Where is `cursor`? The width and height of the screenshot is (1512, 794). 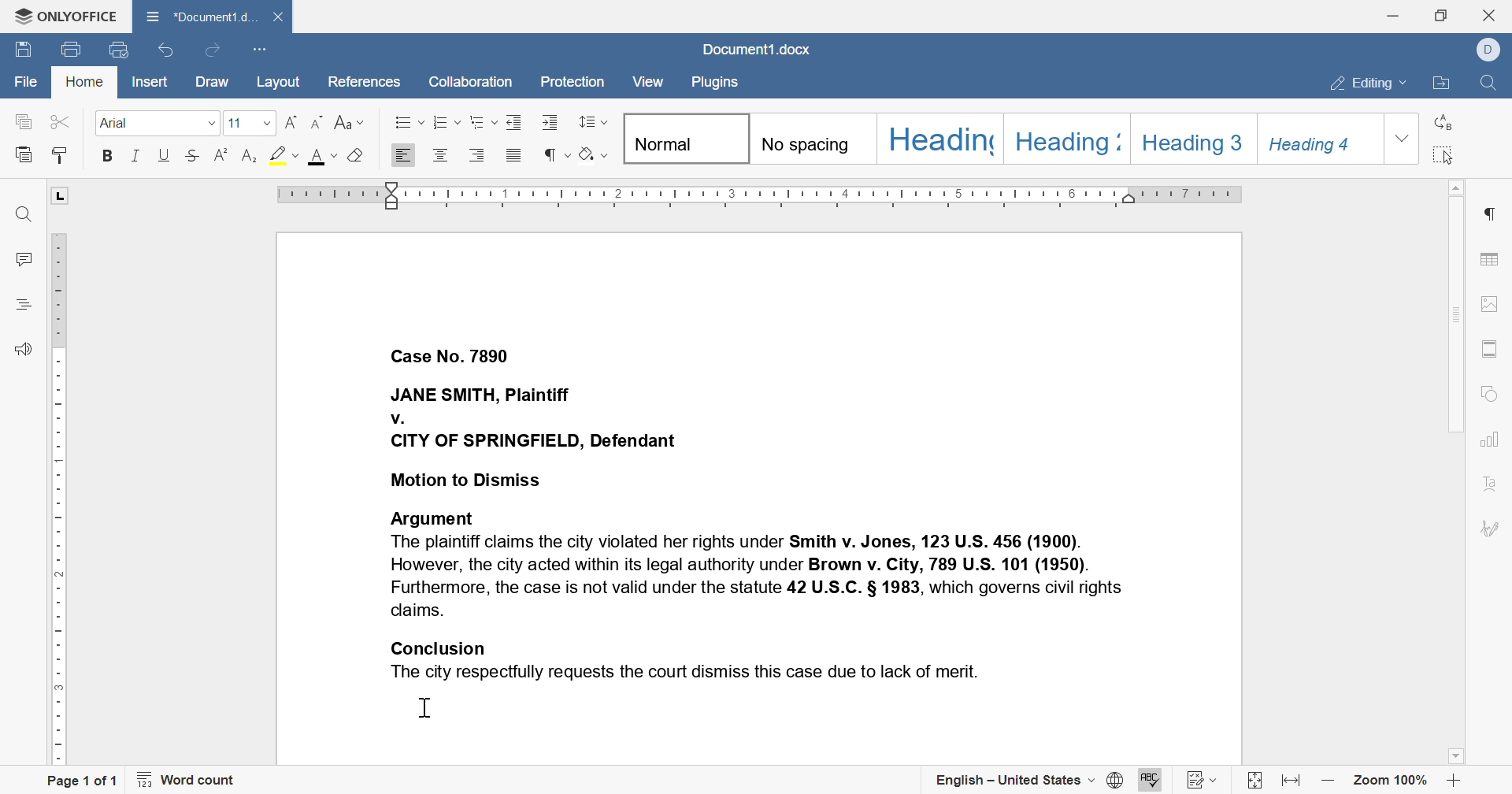 cursor is located at coordinates (424, 710).